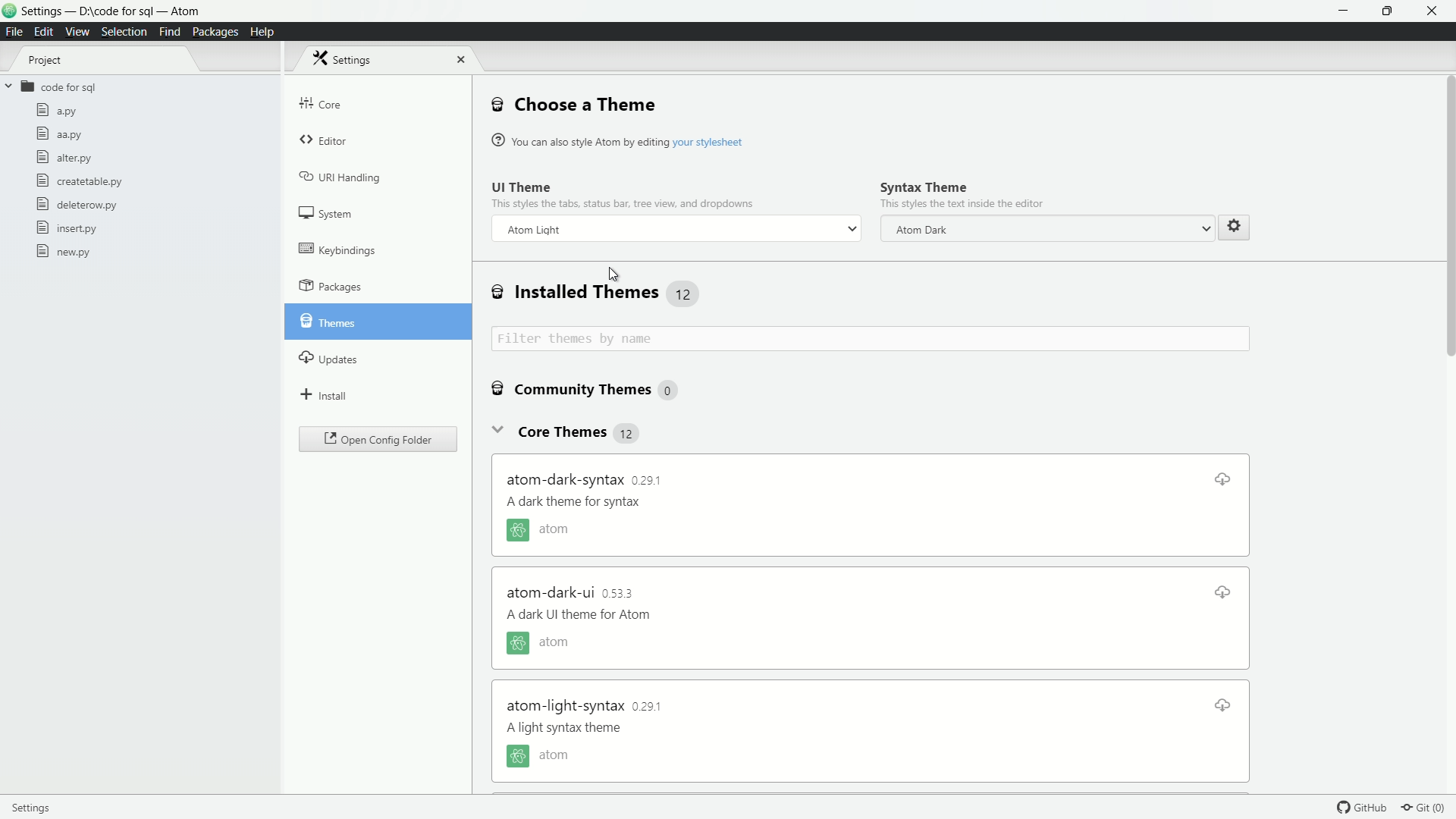  Describe the element at coordinates (590, 391) in the screenshot. I see `community theme` at that location.